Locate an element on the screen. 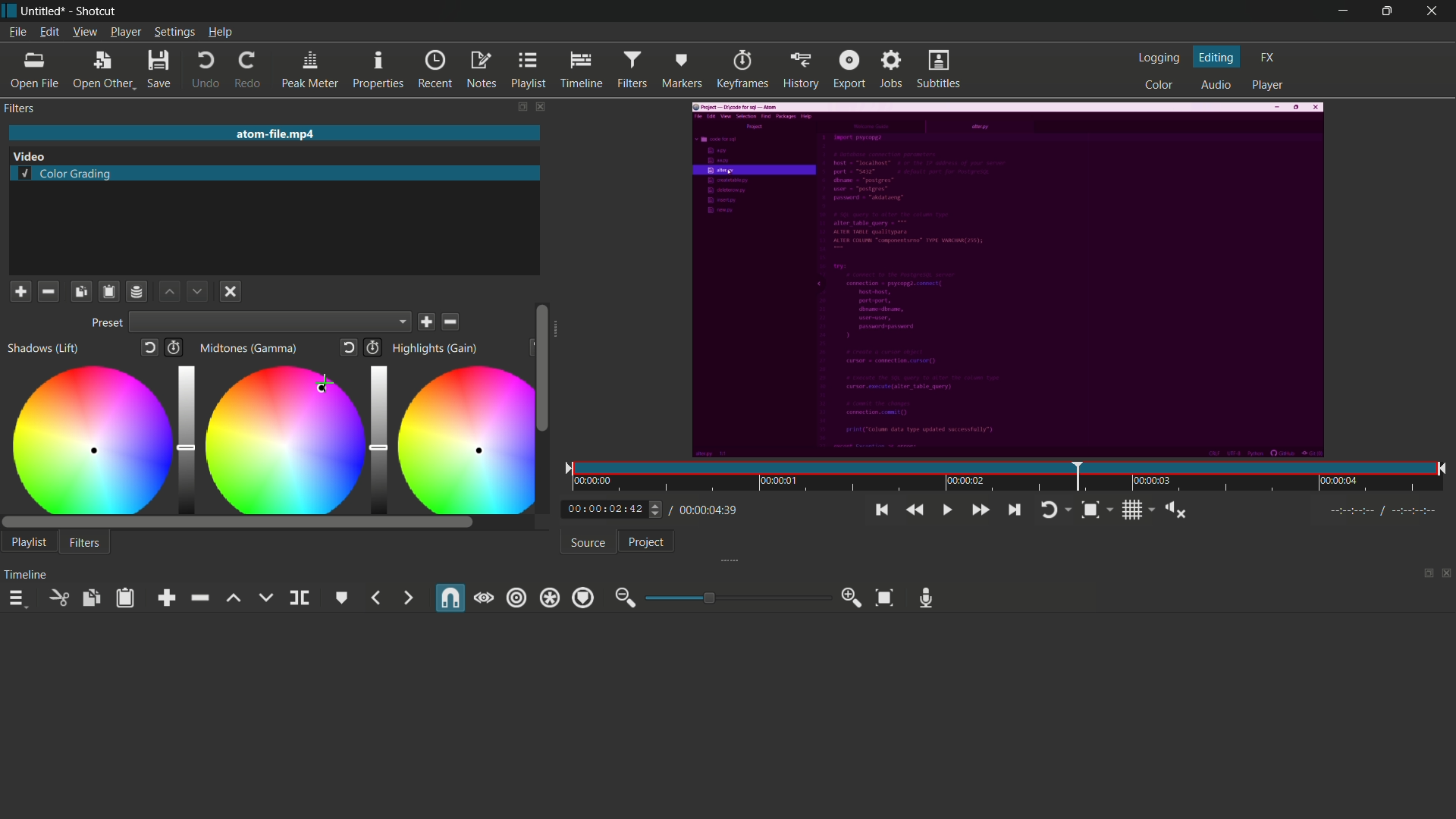 The width and height of the screenshot is (1456, 819). change layout is located at coordinates (517, 106).